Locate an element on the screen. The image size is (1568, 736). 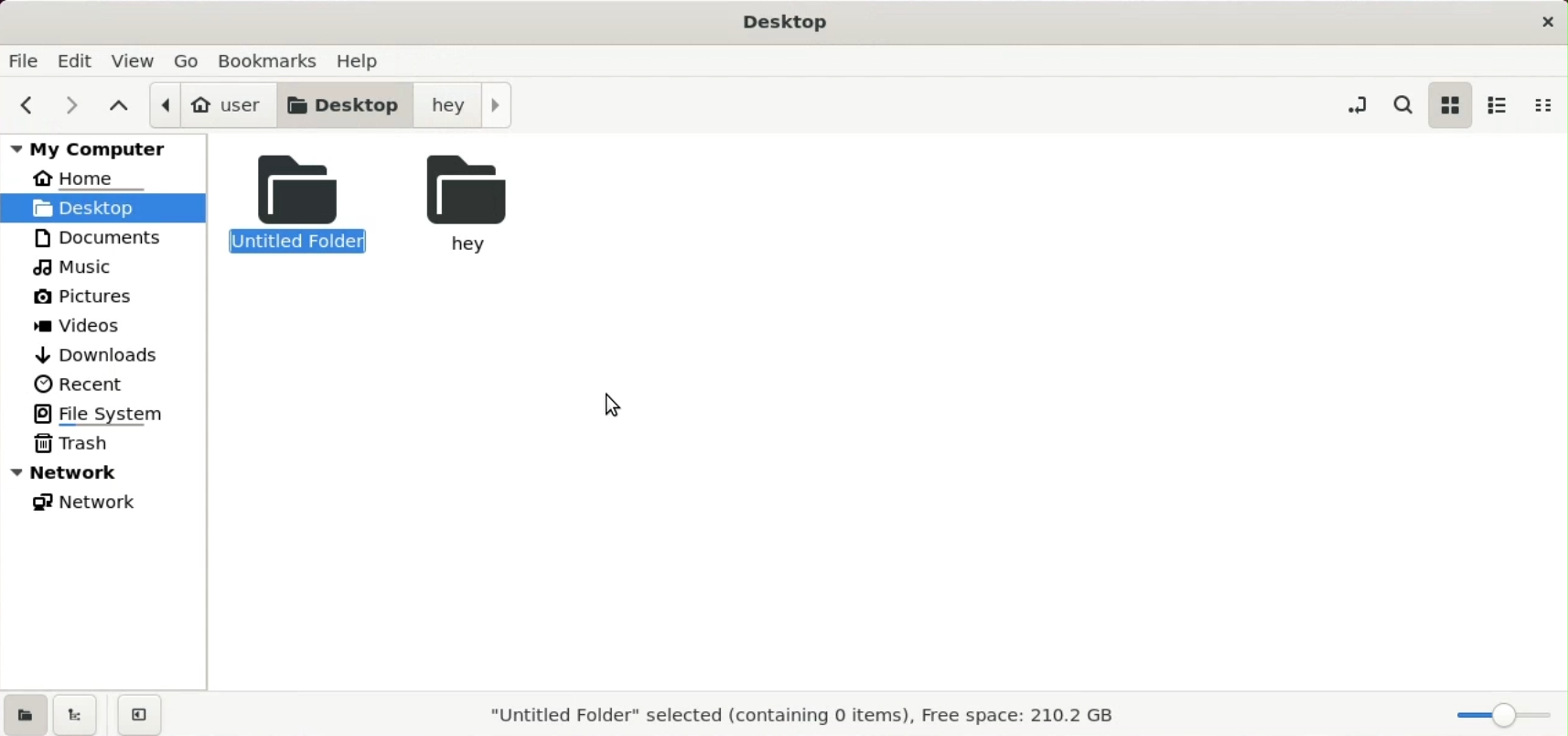
music is located at coordinates (77, 266).